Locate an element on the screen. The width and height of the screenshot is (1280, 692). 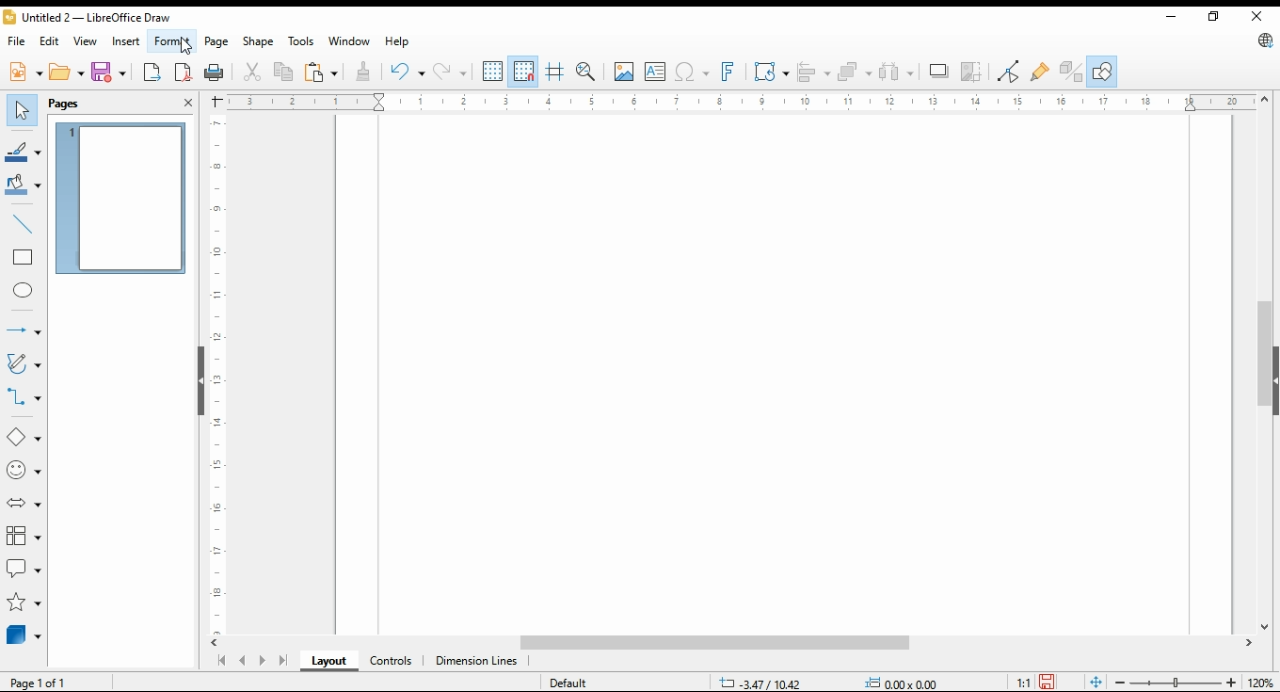
copy is located at coordinates (285, 71).